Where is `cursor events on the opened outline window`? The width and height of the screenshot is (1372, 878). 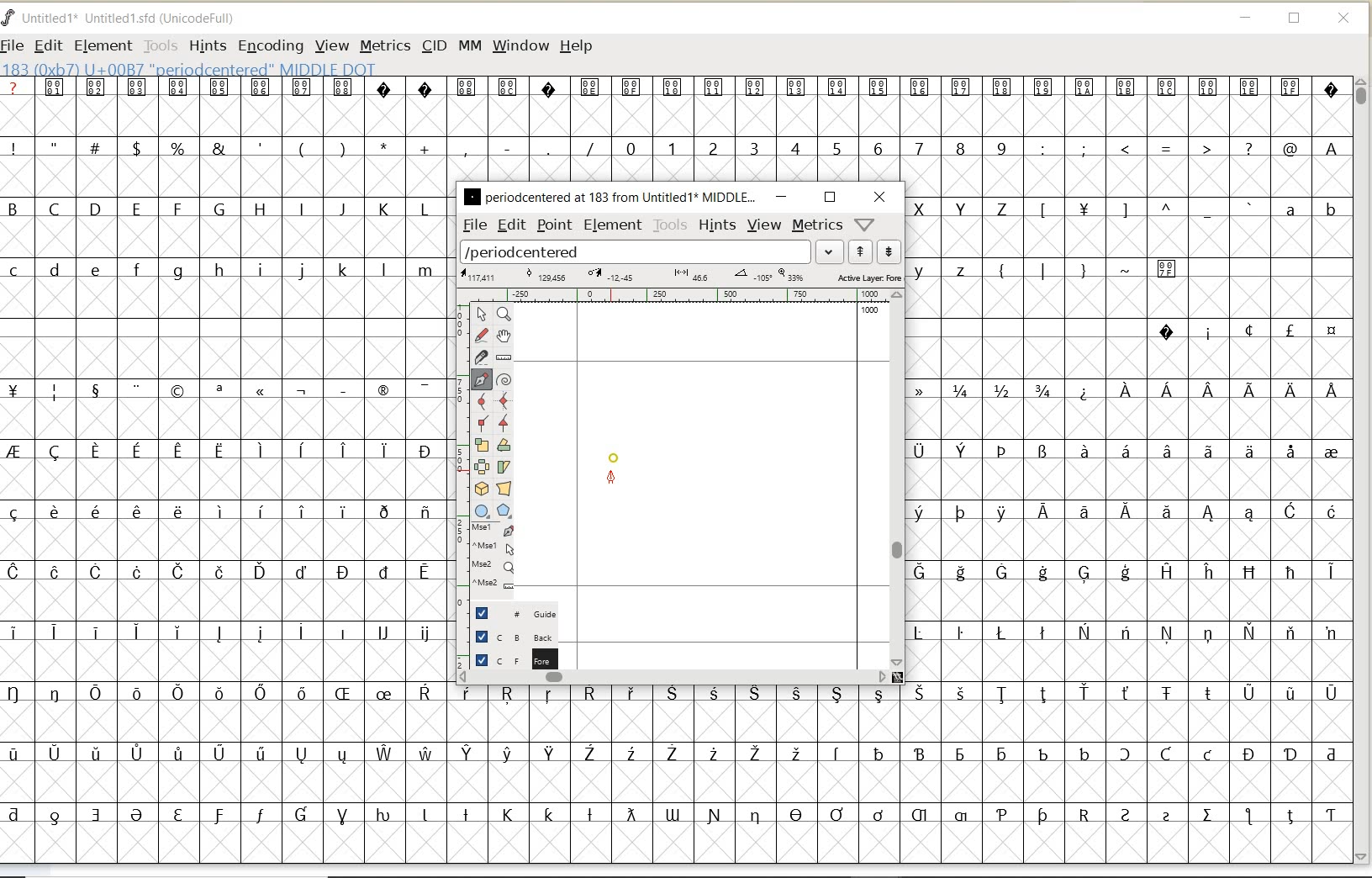
cursor events on the opened outline window is located at coordinates (493, 557).